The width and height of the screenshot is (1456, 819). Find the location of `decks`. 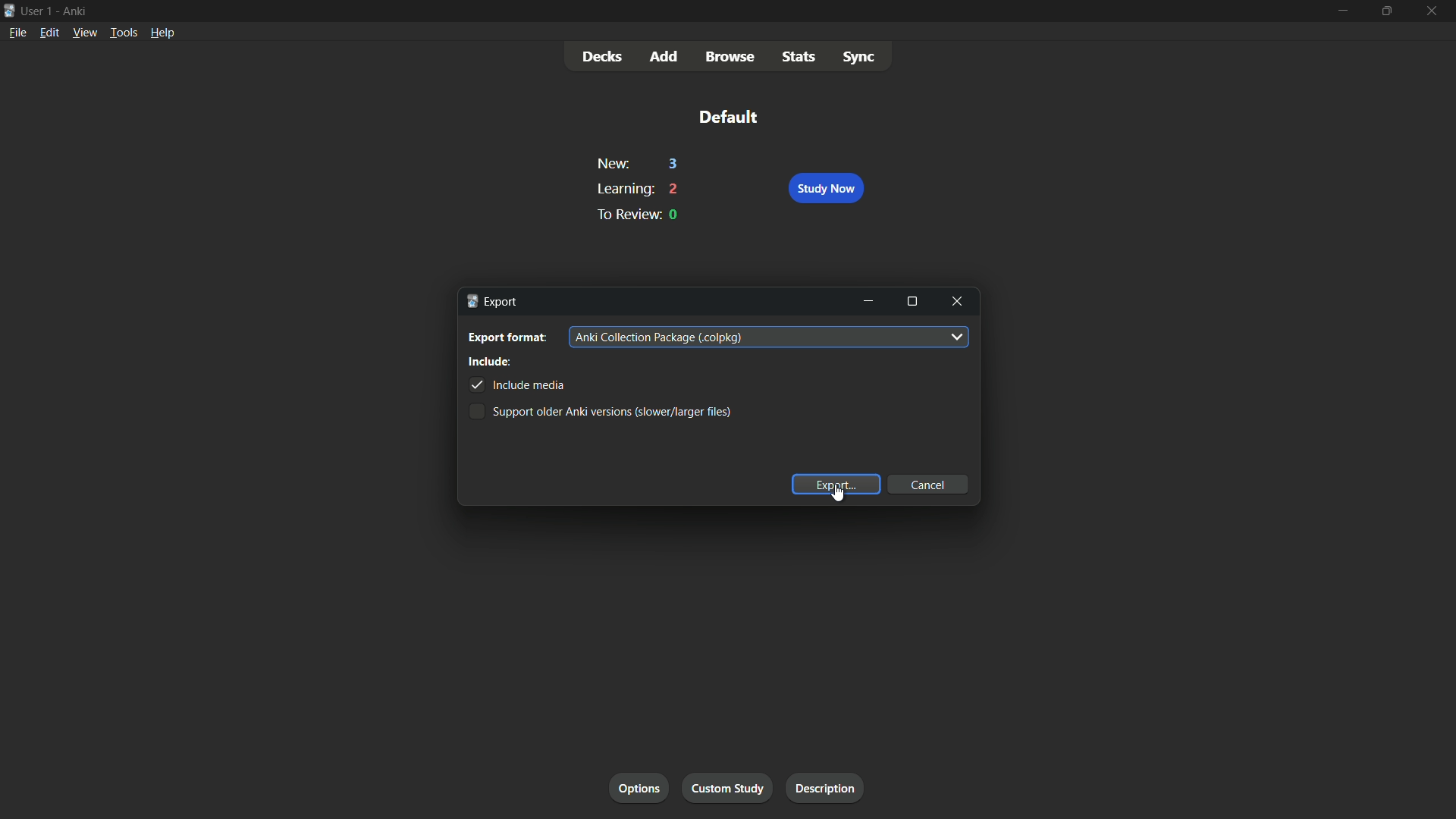

decks is located at coordinates (603, 57).